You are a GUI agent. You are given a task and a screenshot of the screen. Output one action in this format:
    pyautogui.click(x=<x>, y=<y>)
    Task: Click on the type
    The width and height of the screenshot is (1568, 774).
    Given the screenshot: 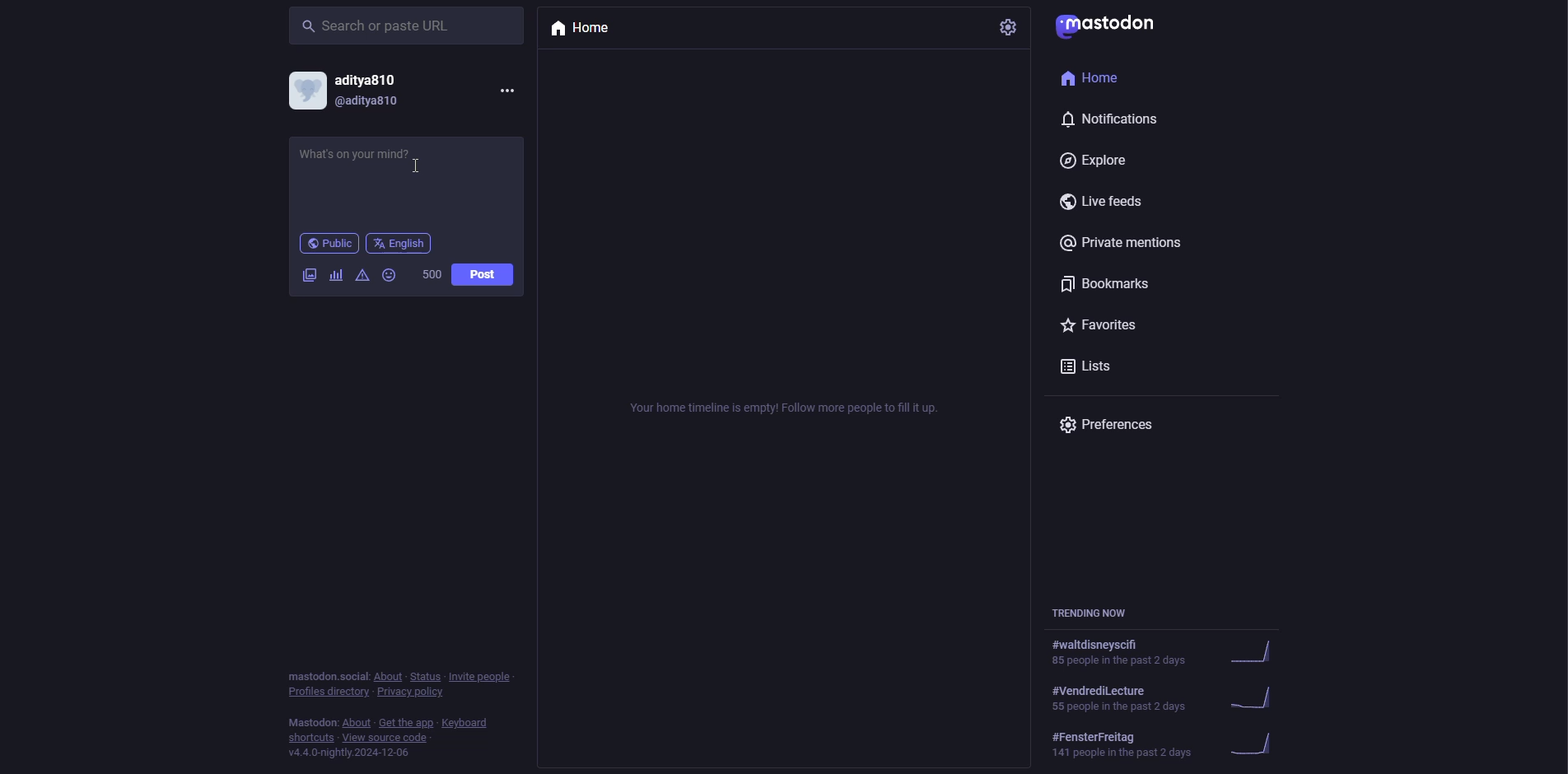 What is the action you would take?
    pyautogui.click(x=401, y=172)
    